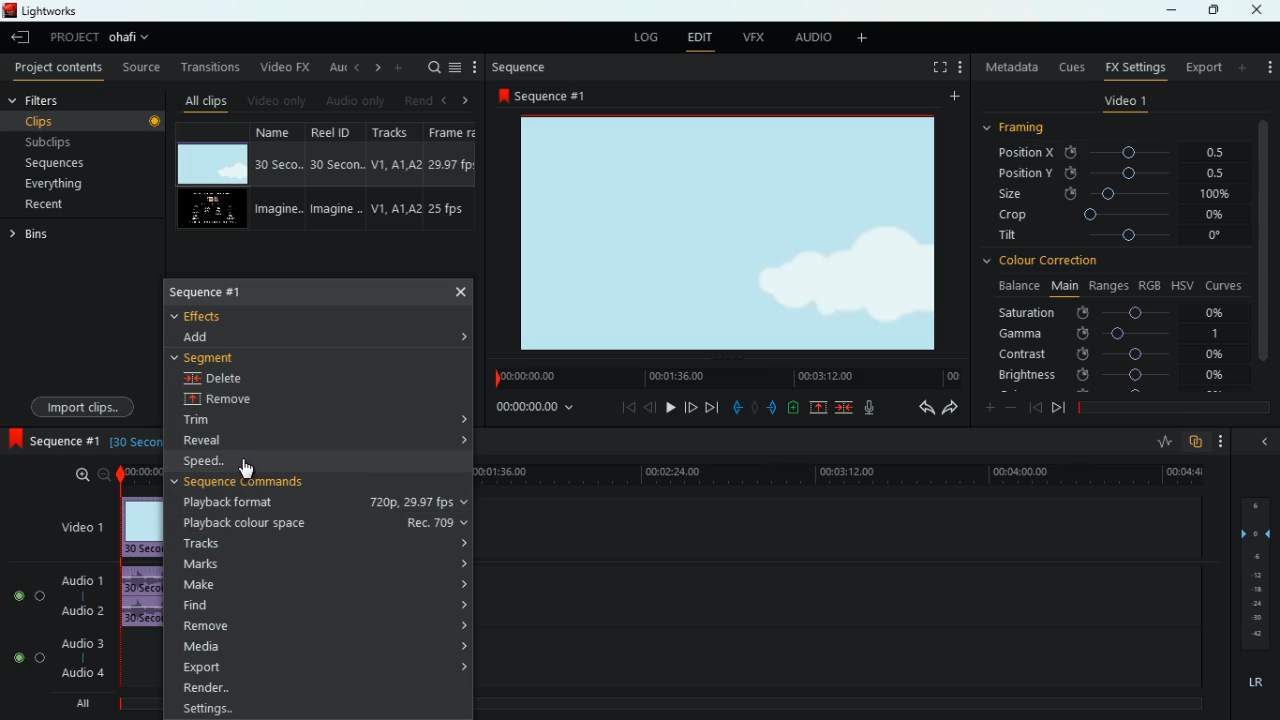 The width and height of the screenshot is (1280, 720). I want to click on video only, so click(275, 99).